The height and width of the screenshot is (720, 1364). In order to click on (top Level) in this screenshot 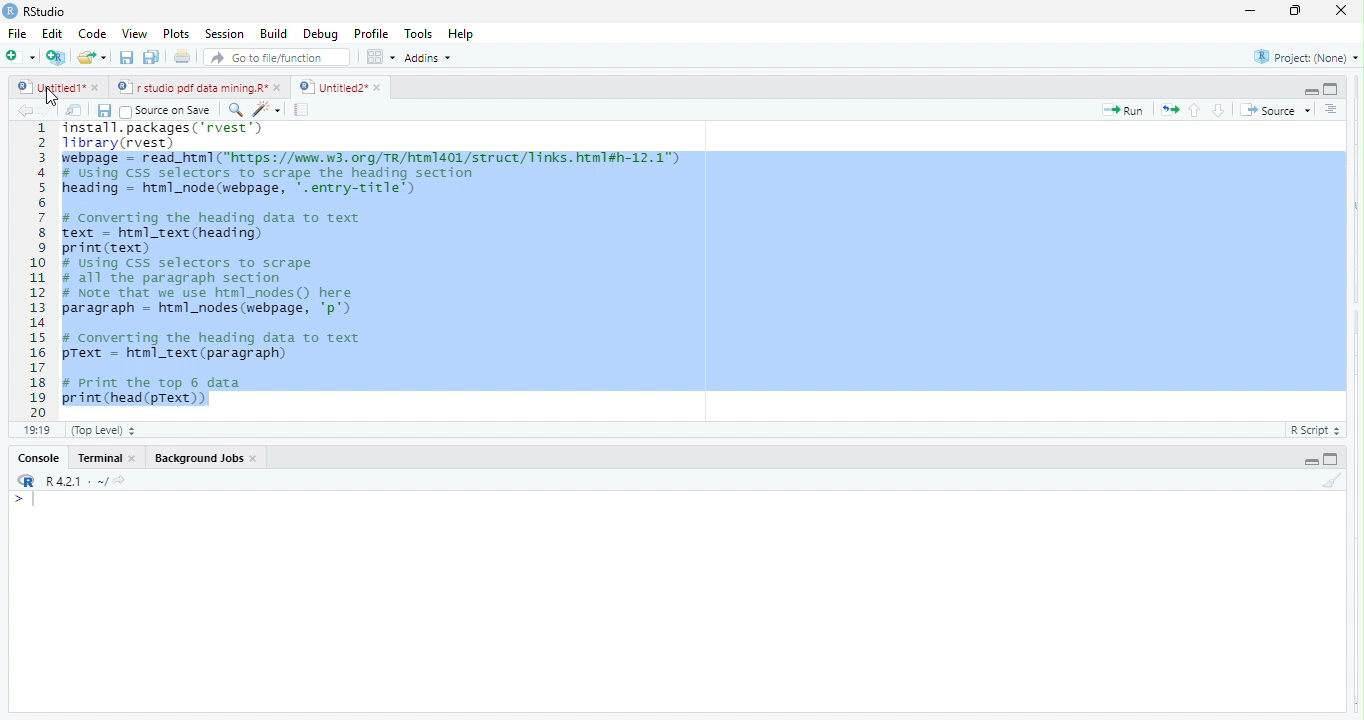, I will do `click(104, 430)`.